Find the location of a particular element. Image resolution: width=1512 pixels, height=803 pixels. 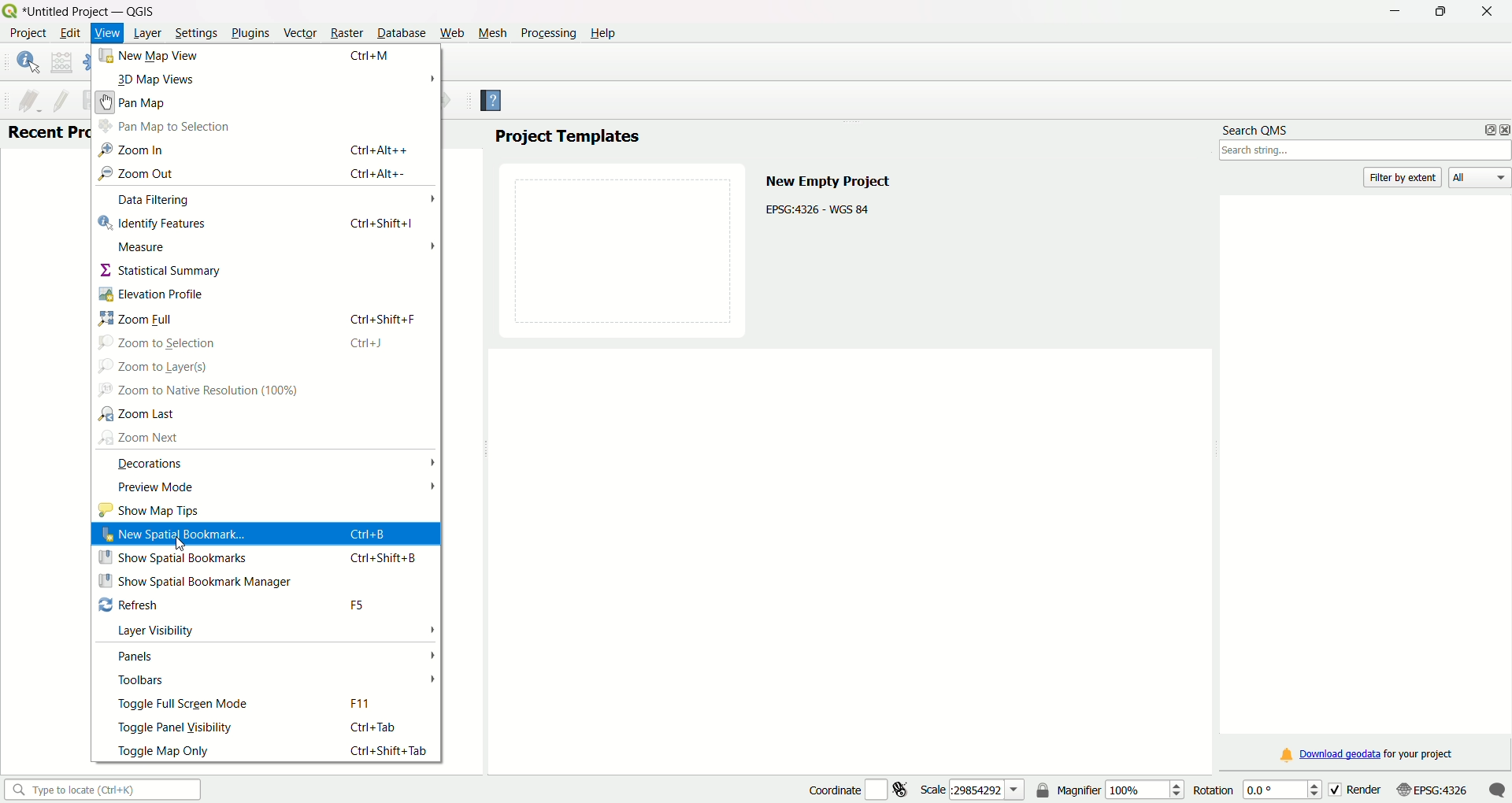

ctrl+B is located at coordinates (369, 534).